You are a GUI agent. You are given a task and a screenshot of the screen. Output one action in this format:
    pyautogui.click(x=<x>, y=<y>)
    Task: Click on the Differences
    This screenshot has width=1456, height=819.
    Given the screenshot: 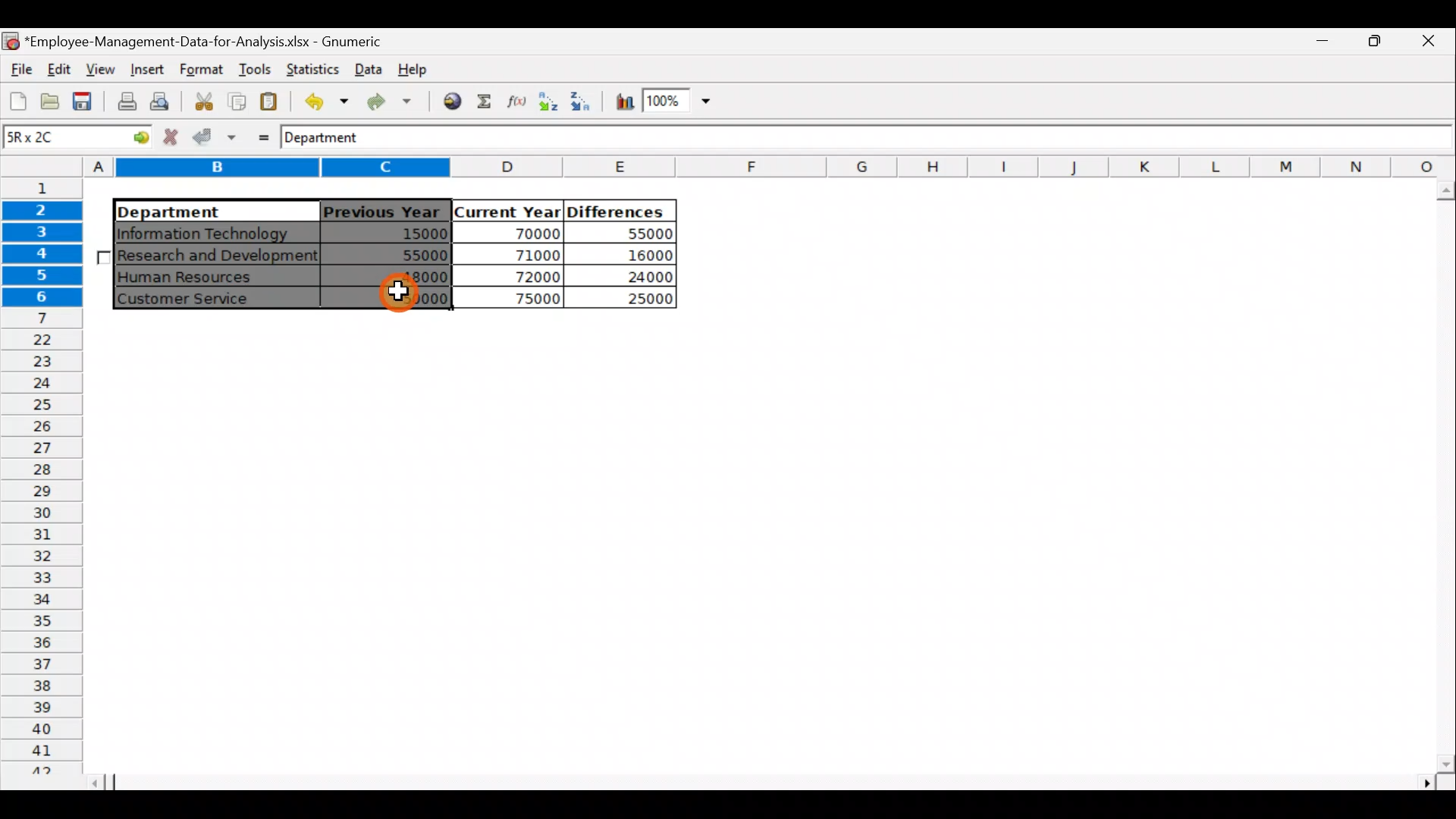 What is the action you would take?
    pyautogui.click(x=619, y=211)
    